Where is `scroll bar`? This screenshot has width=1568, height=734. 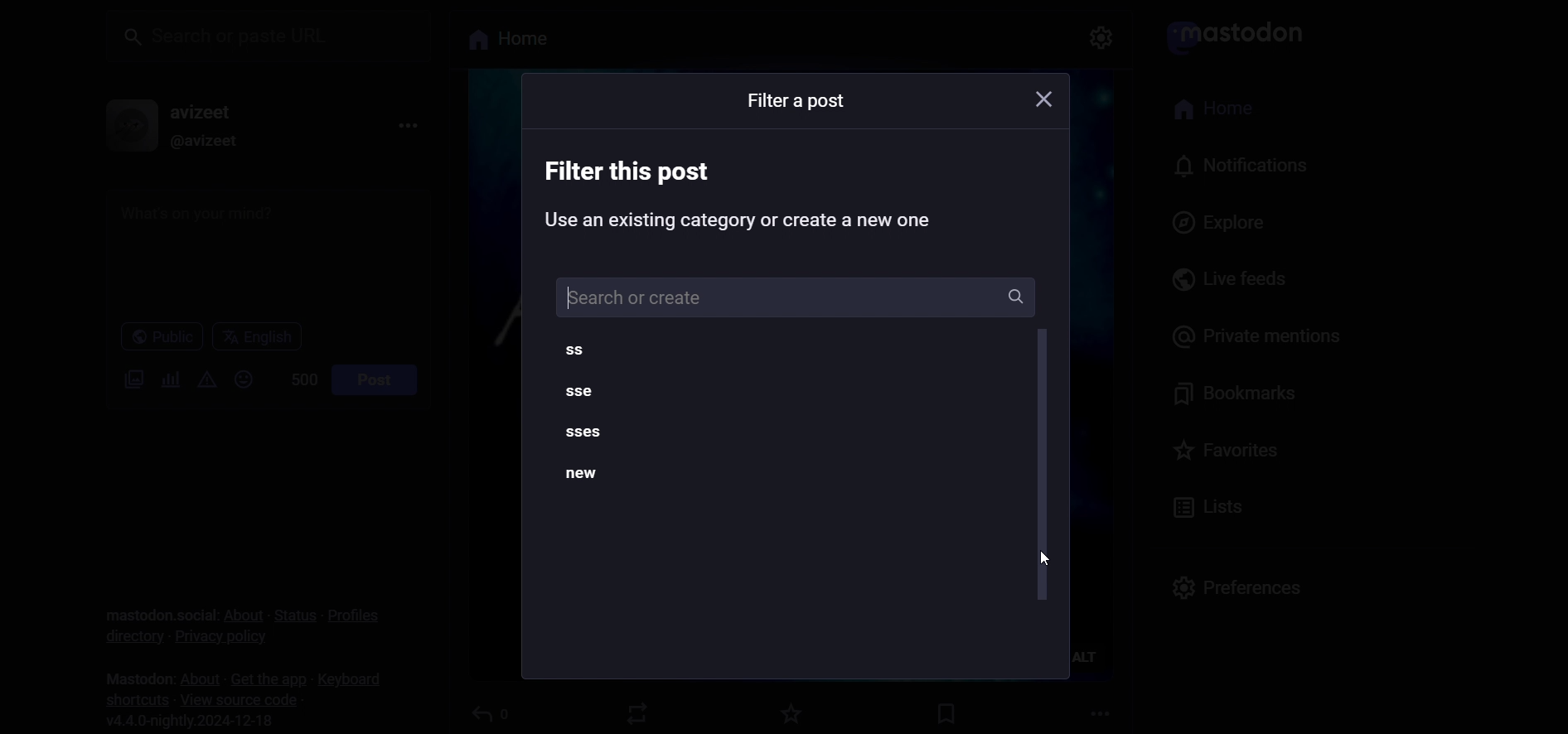 scroll bar is located at coordinates (1042, 466).